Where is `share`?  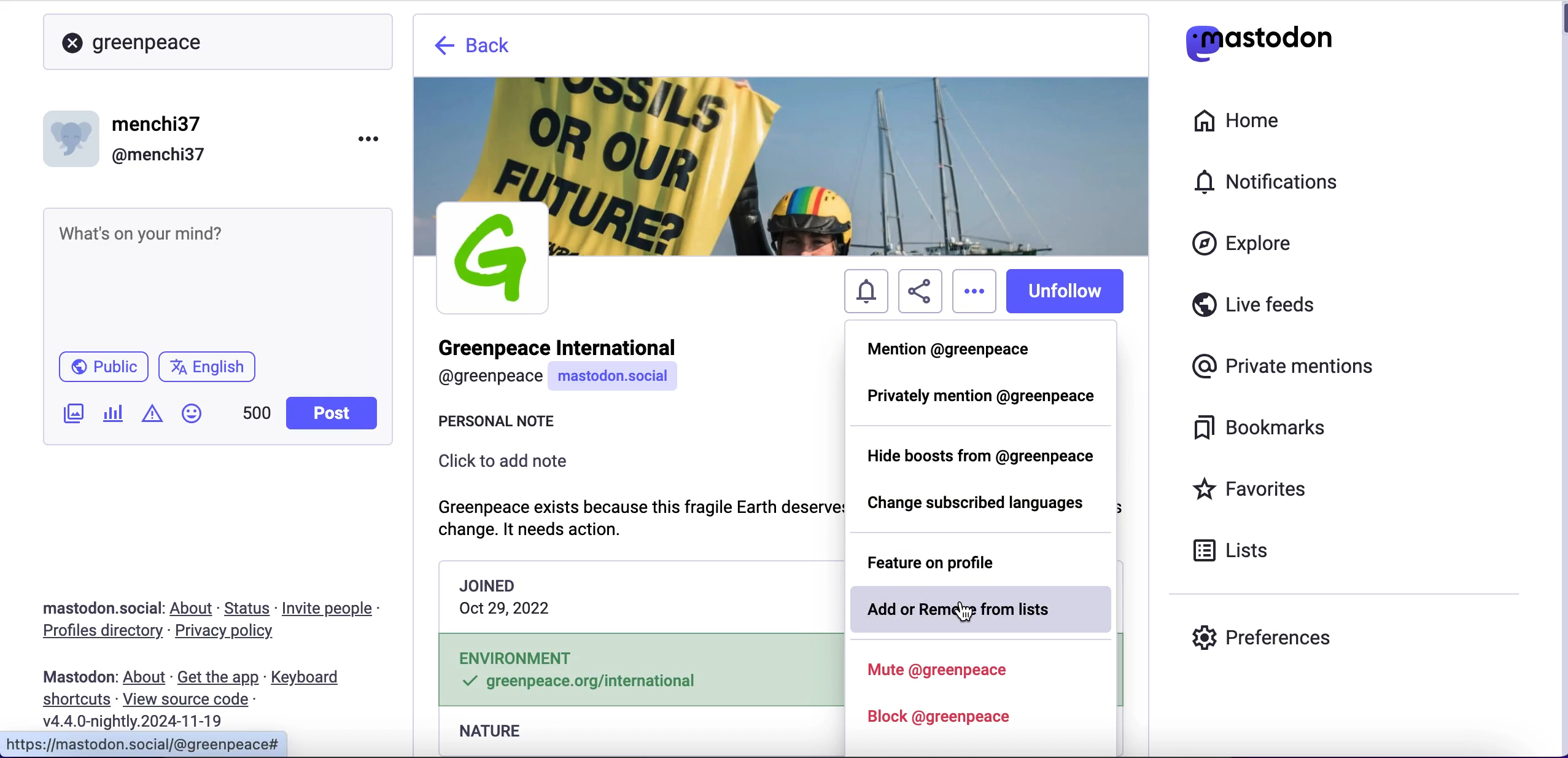
share is located at coordinates (918, 294).